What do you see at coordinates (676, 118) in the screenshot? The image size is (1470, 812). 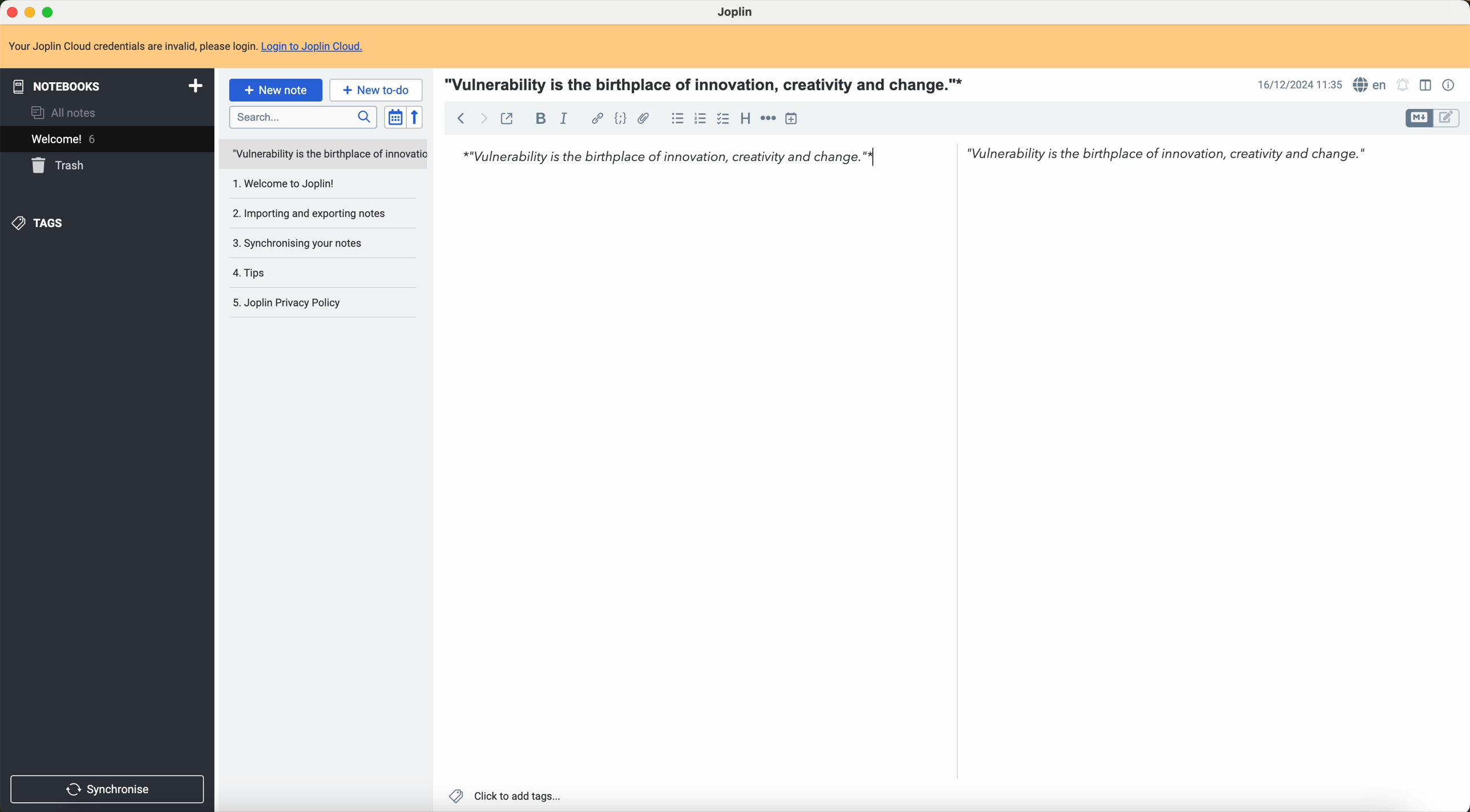 I see `bulleted list` at bounding box center [676, 118].